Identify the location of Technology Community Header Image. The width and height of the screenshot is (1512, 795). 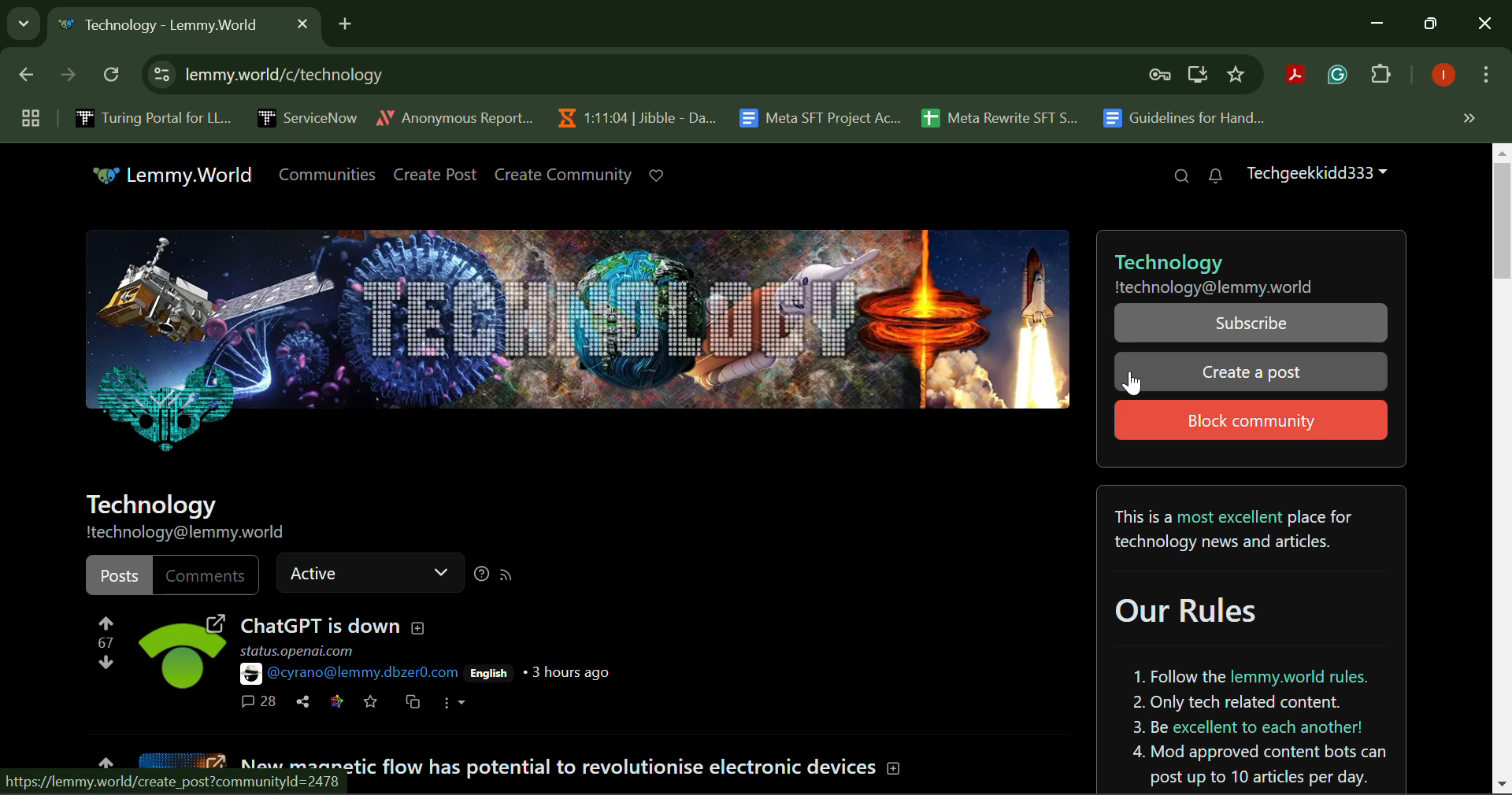
(578, 347).